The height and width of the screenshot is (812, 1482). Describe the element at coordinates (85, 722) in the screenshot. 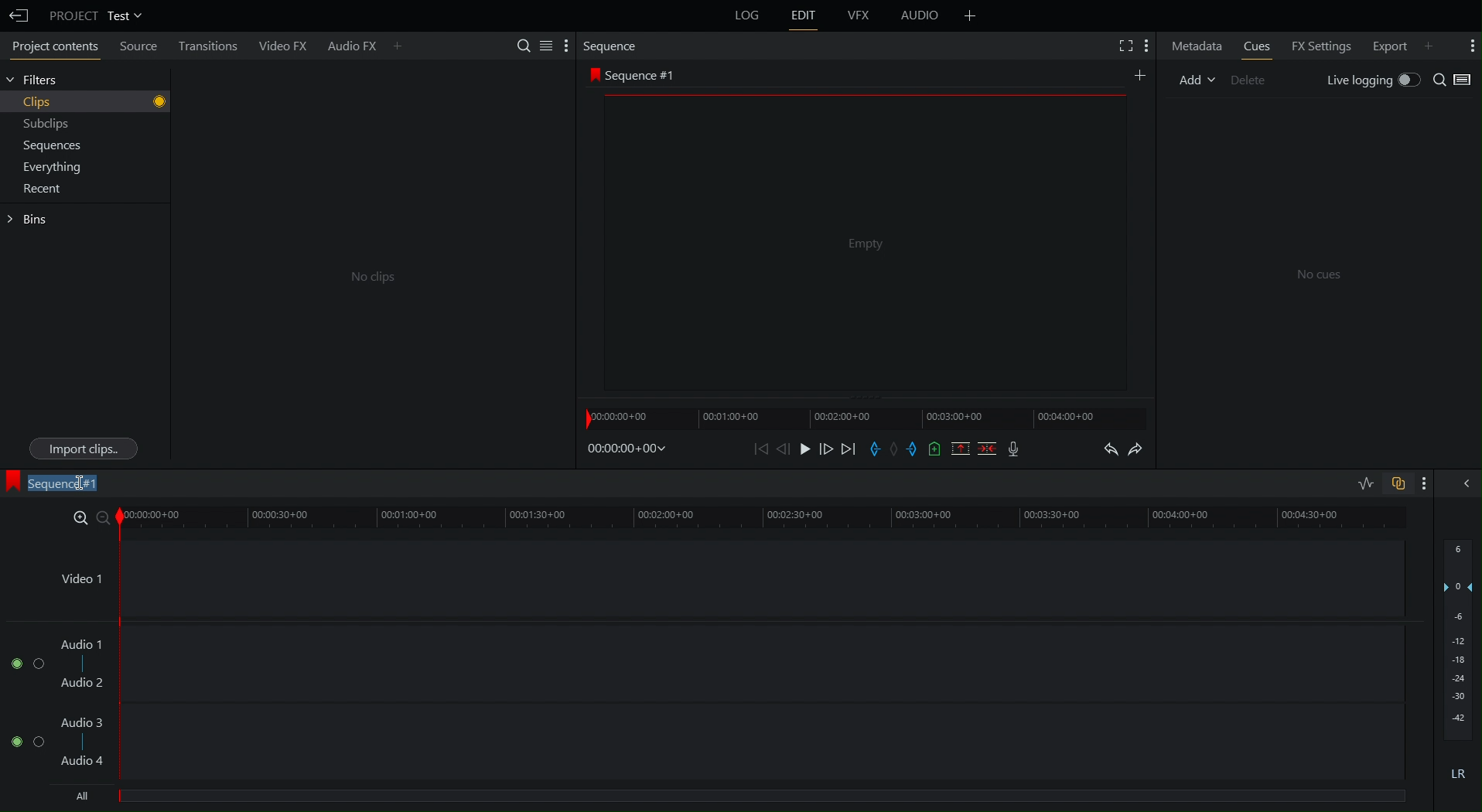

I see `Audio 3` at that location.